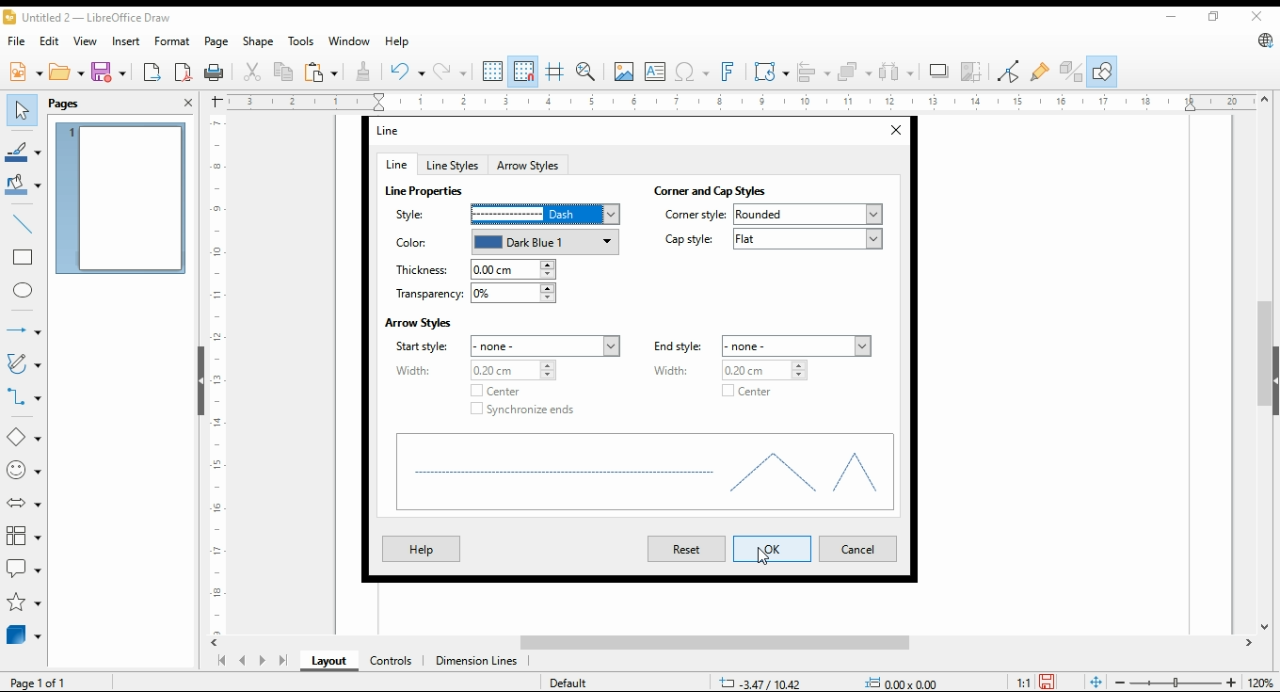 This screenshot has height=692, width=1280. Describe the element at coordinates (492, 391) in the screenshot. I see `checkbox: center` at that location.